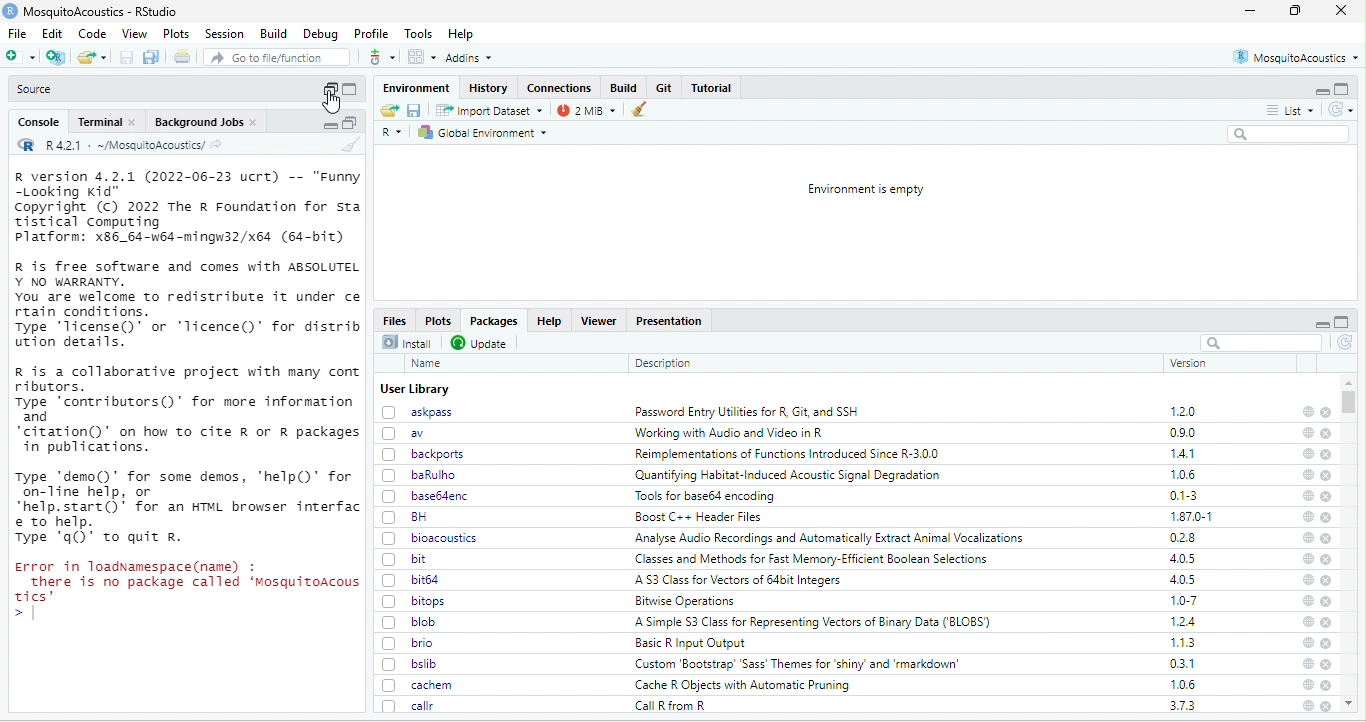  I want to click on close, so click(1342, 11).